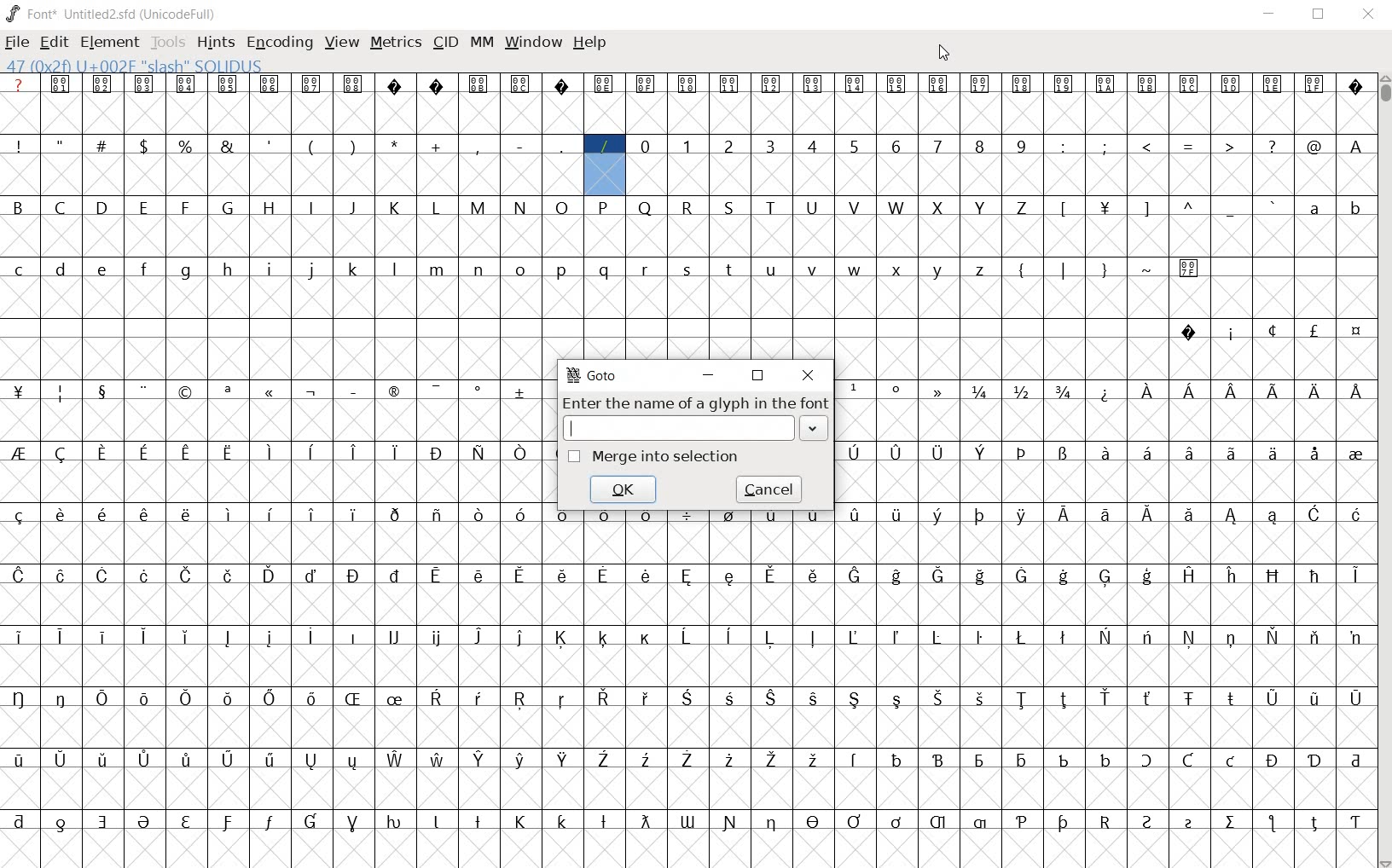 This screenshot has height=868, width=1392. I want to click on glyph, so click(1231, 761).